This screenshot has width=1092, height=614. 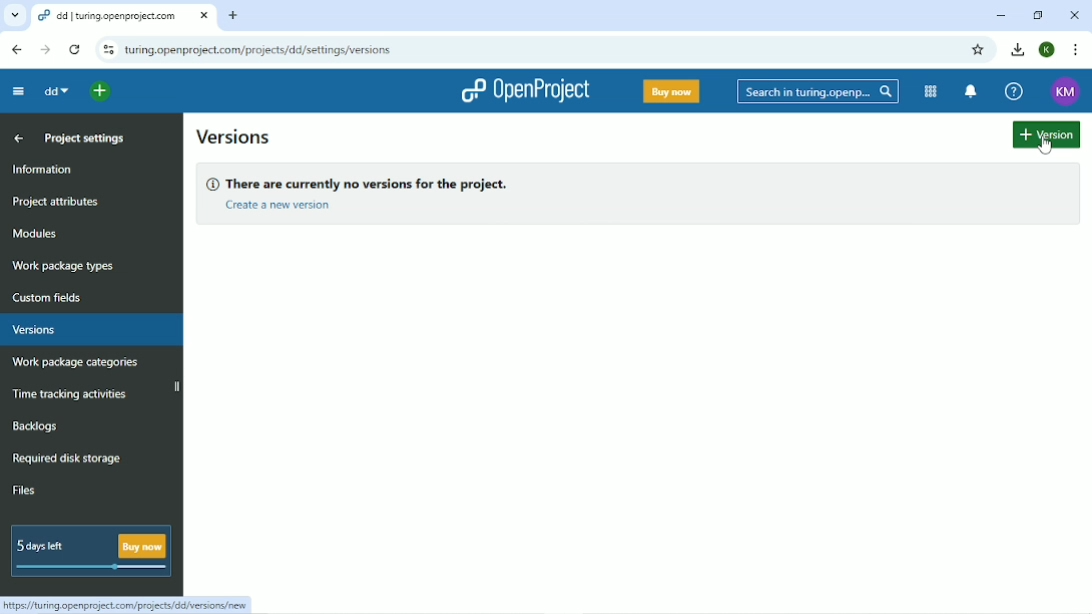 I want to click on OpenProject, so click(x=525, y=91).